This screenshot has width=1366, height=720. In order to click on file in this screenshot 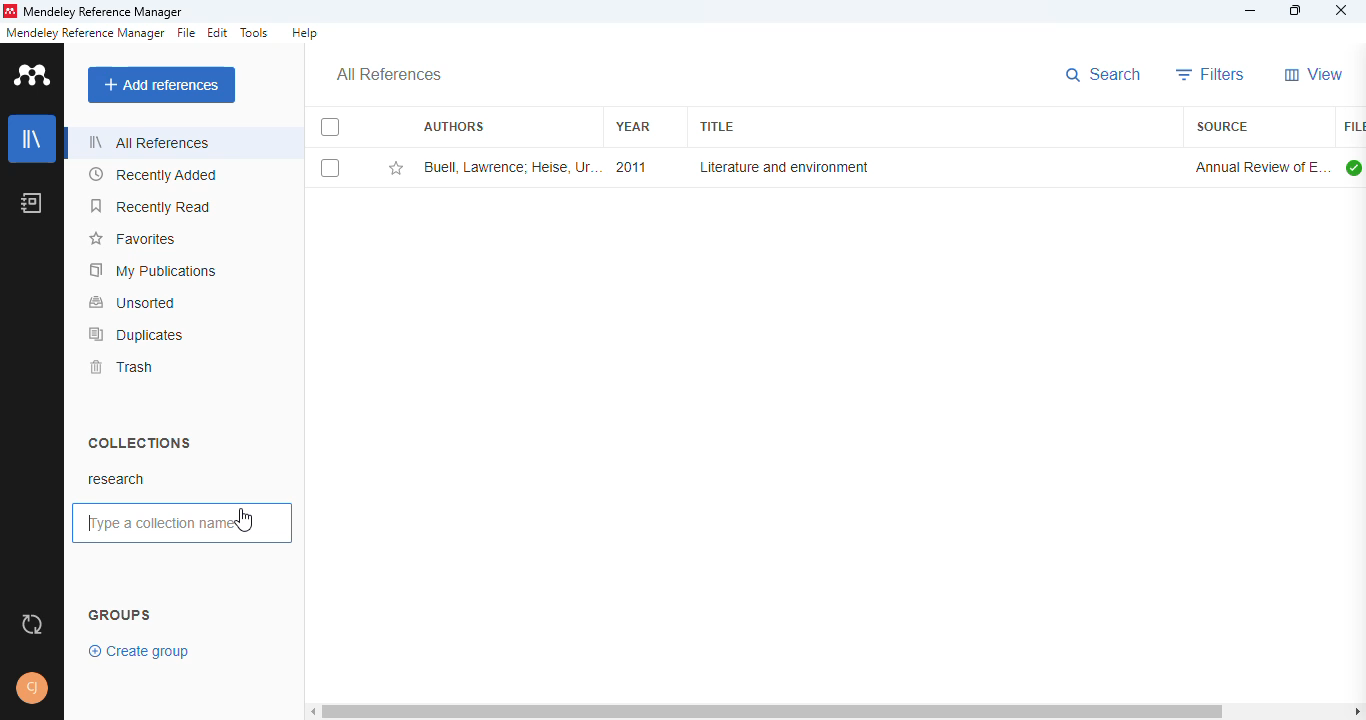, I will do `click(185, 33)`.